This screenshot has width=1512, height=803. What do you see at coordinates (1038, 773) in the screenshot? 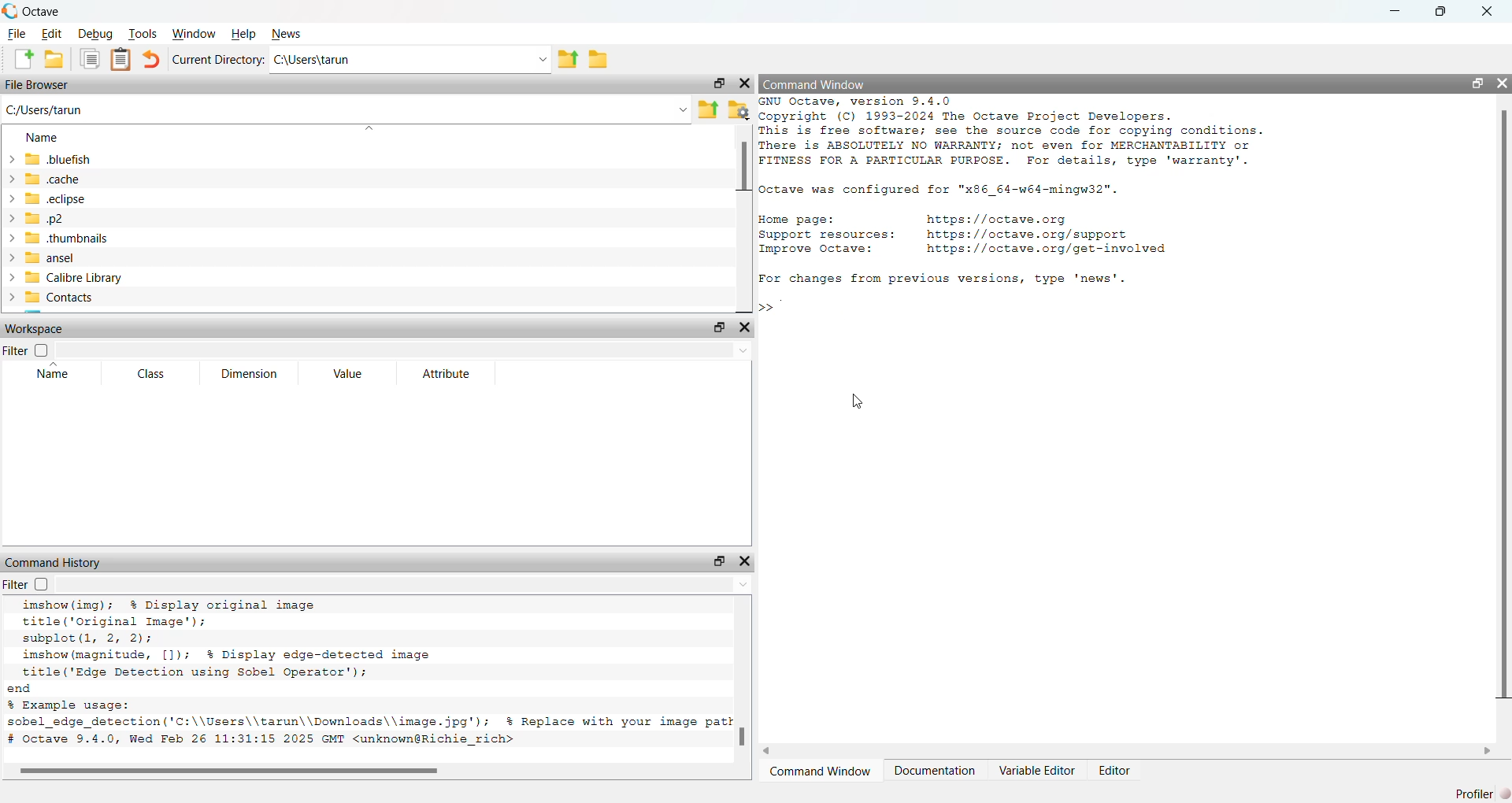
I see `Variable Editor` at bounding box center [1038, 773].